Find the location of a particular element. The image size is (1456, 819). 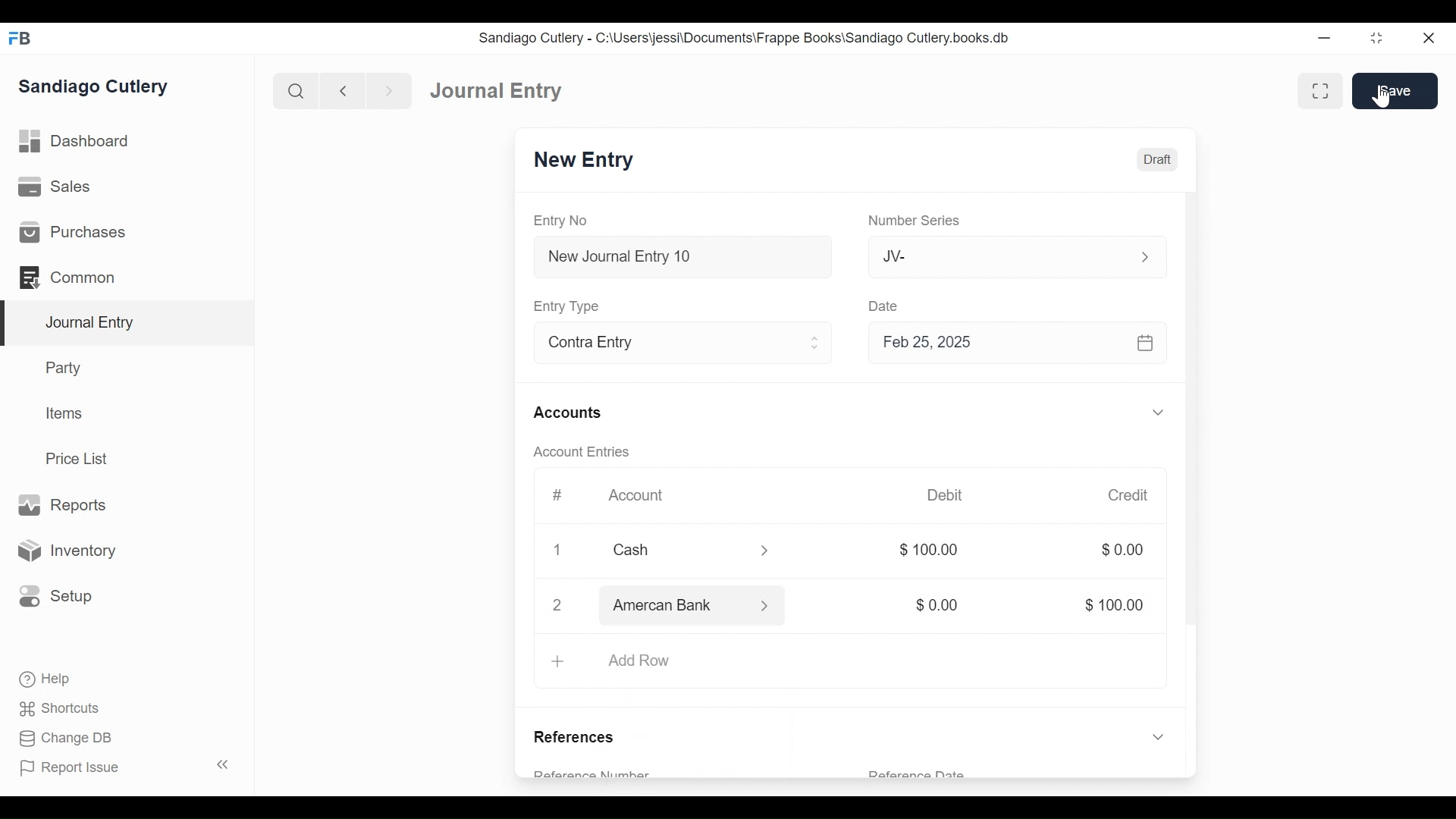

2 is located at coordinates (557, 605).